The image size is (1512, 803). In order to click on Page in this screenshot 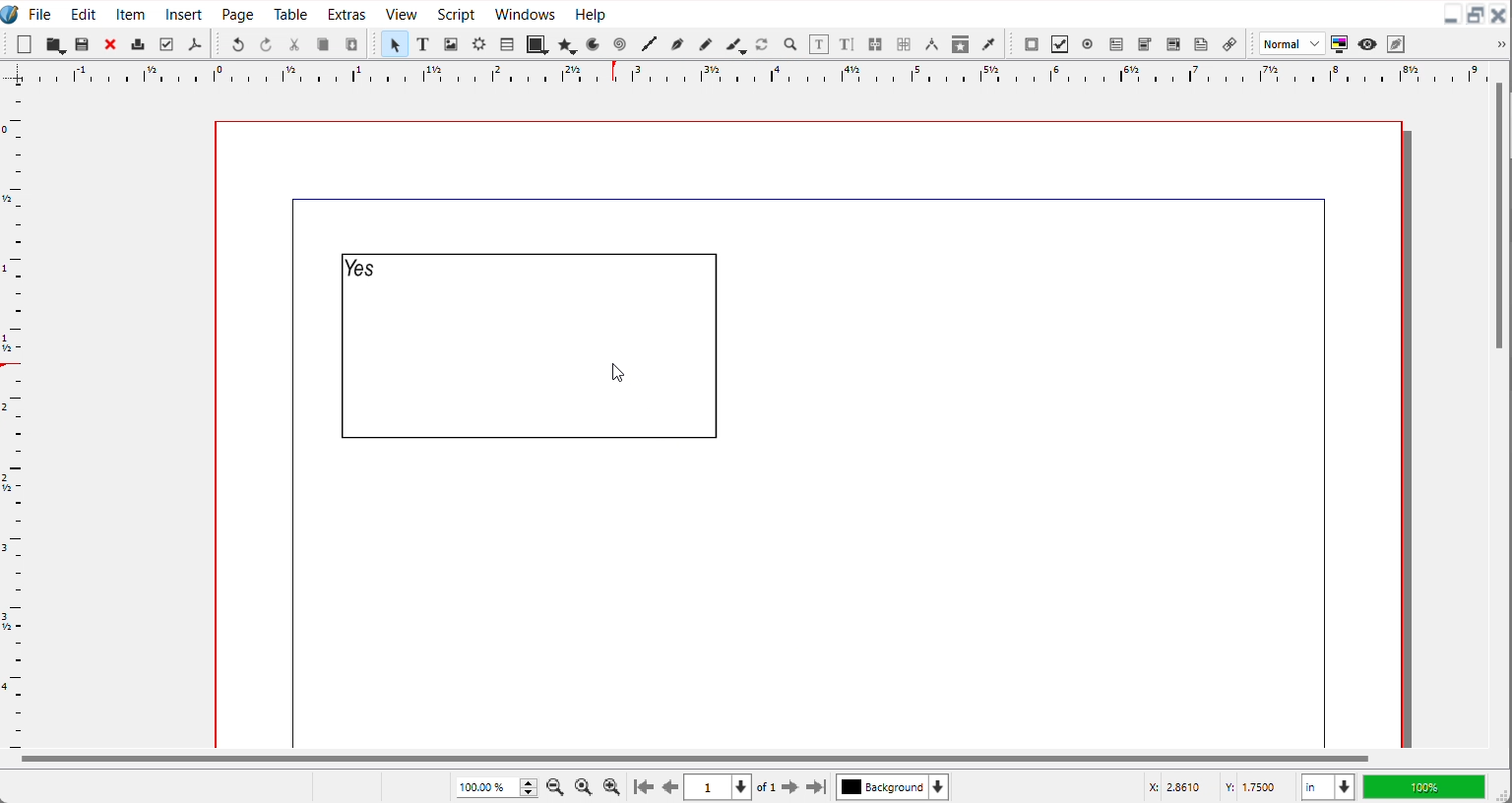, I will do `click(237, 13)`.